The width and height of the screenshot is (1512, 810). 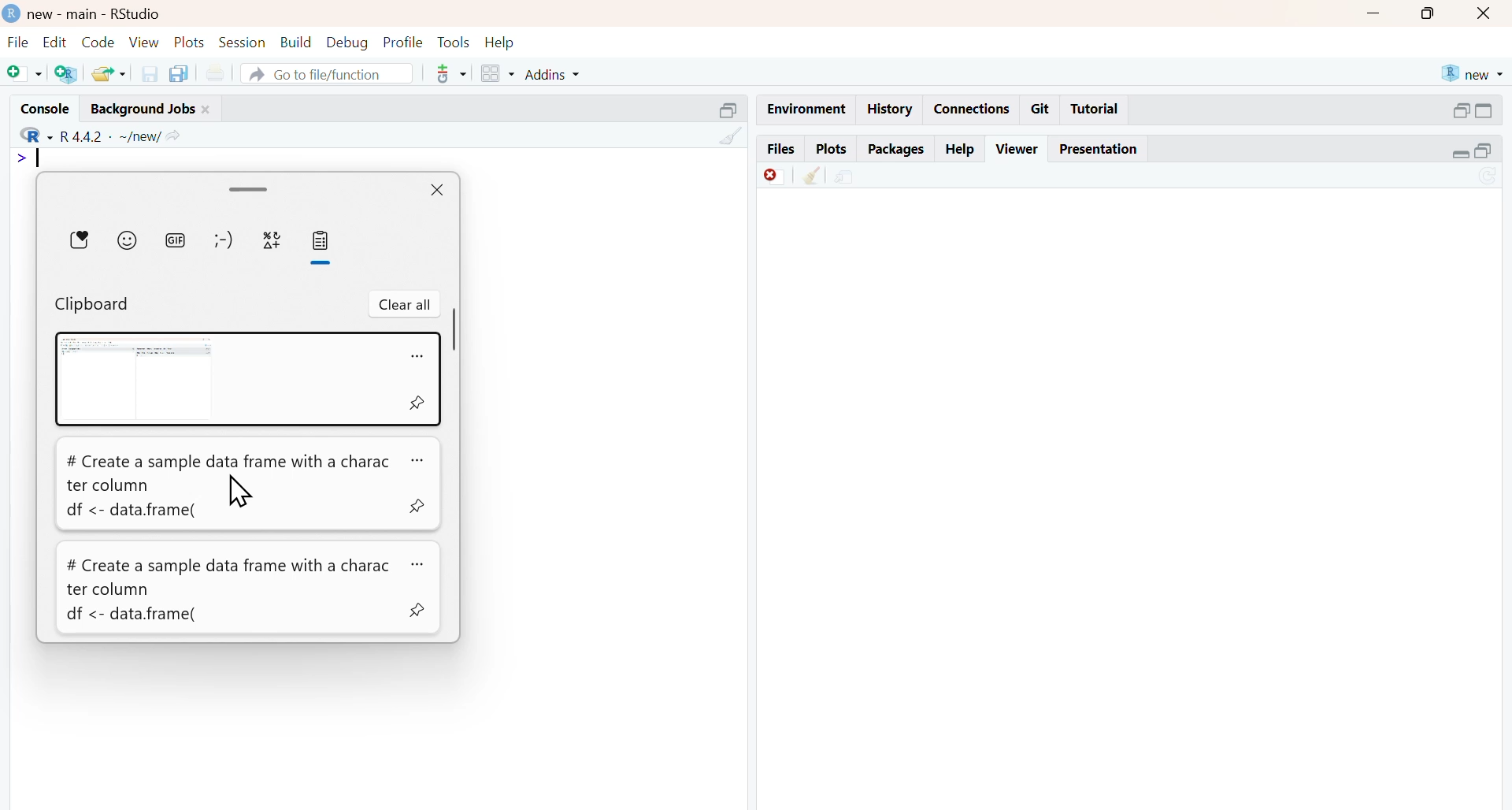 What do you see at coordinates (178, 74) in the screenshot?
I see `copy` at bounding box center [178, 74].